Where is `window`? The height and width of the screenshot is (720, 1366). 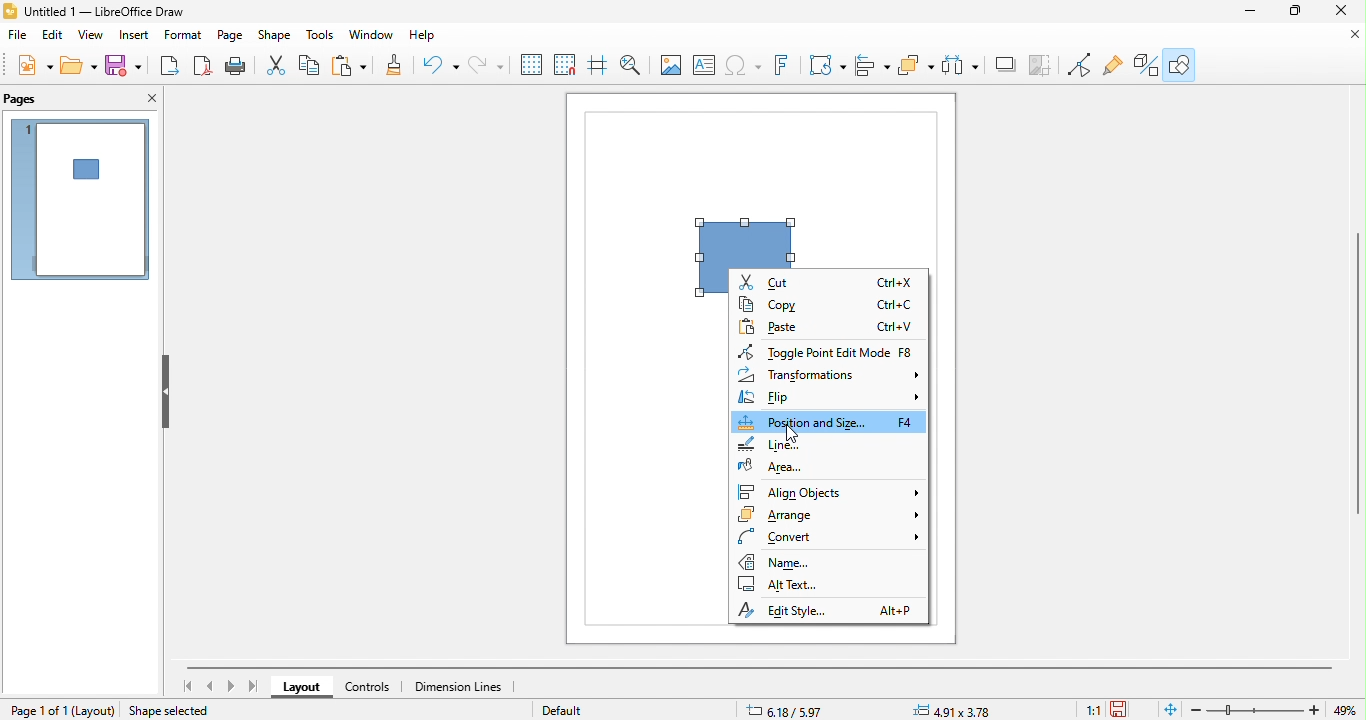 window is located at coordinates (372, 38).